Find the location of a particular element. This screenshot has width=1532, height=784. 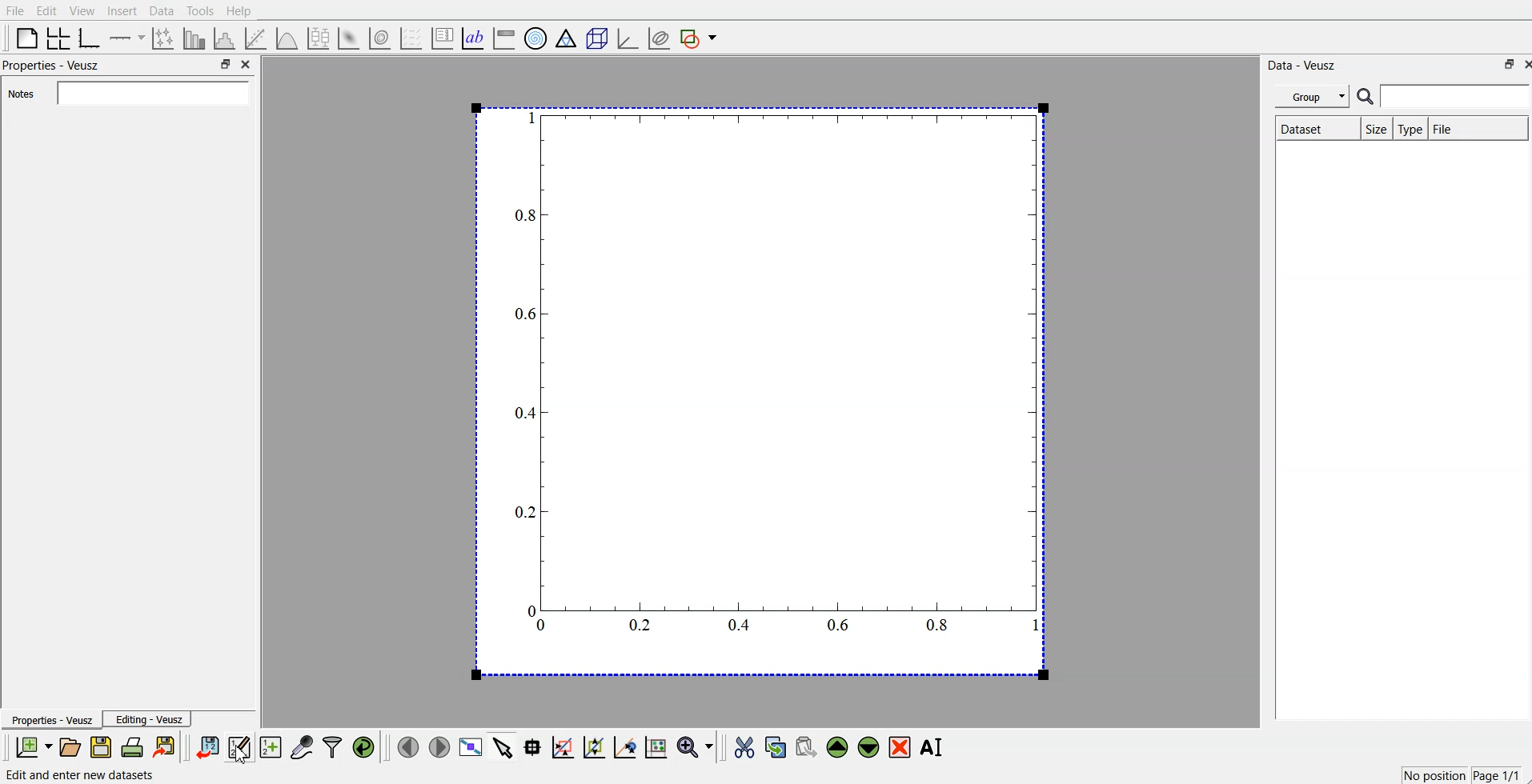

remove the selected widgets is located at coordinates (900, 748).